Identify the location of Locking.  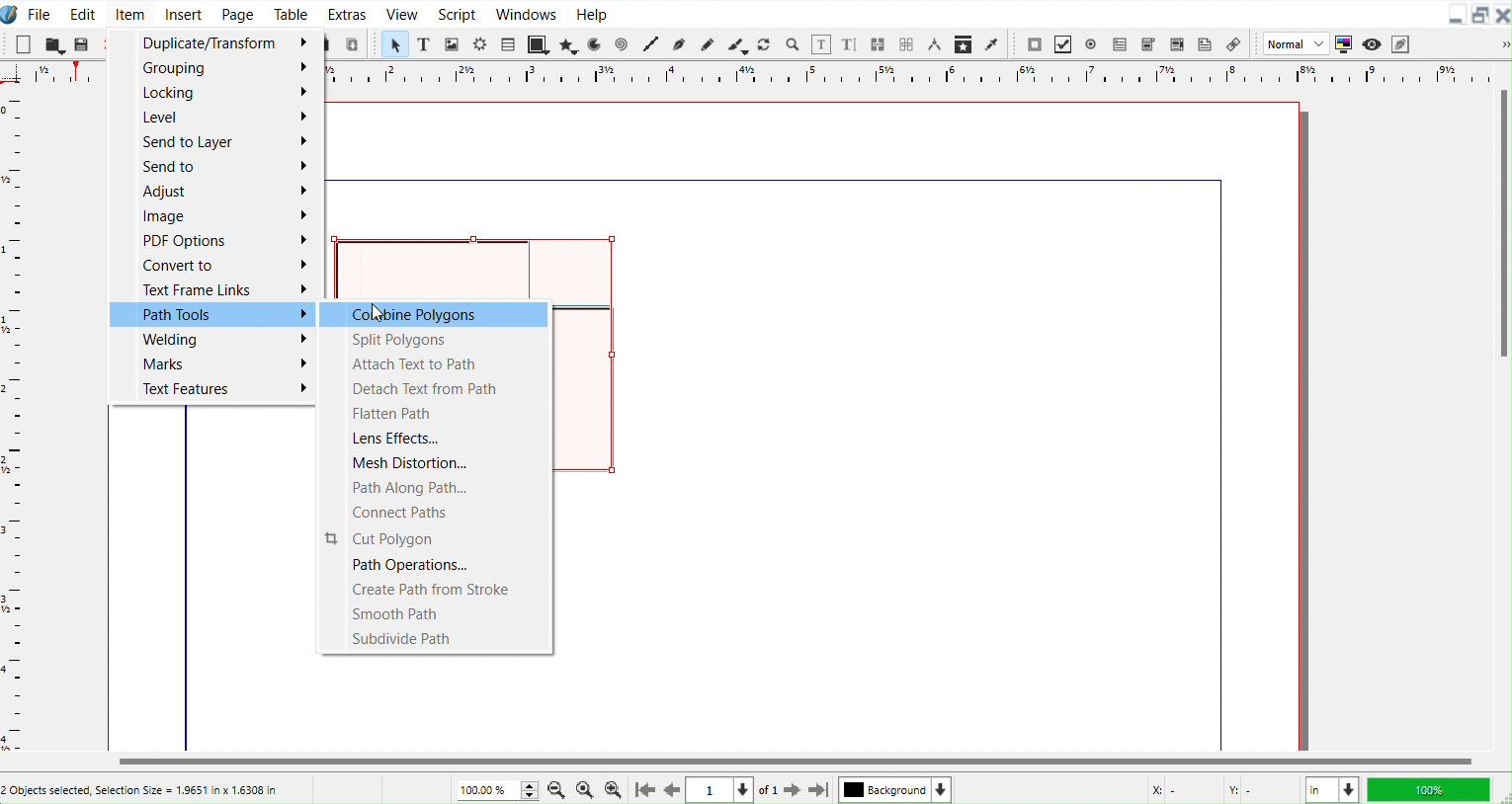
(215, 92).